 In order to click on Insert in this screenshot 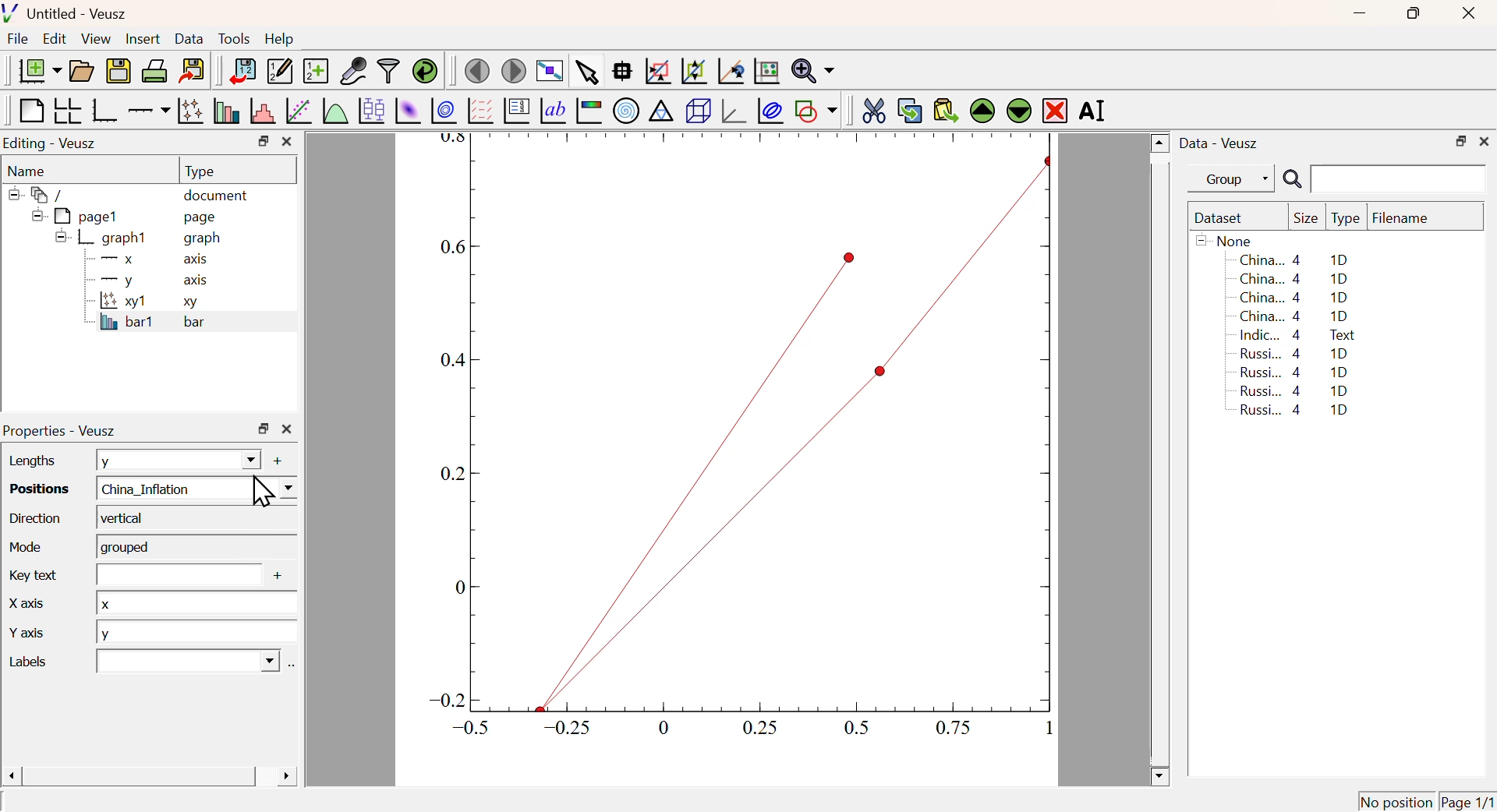, I will do `click(141, 40)`.